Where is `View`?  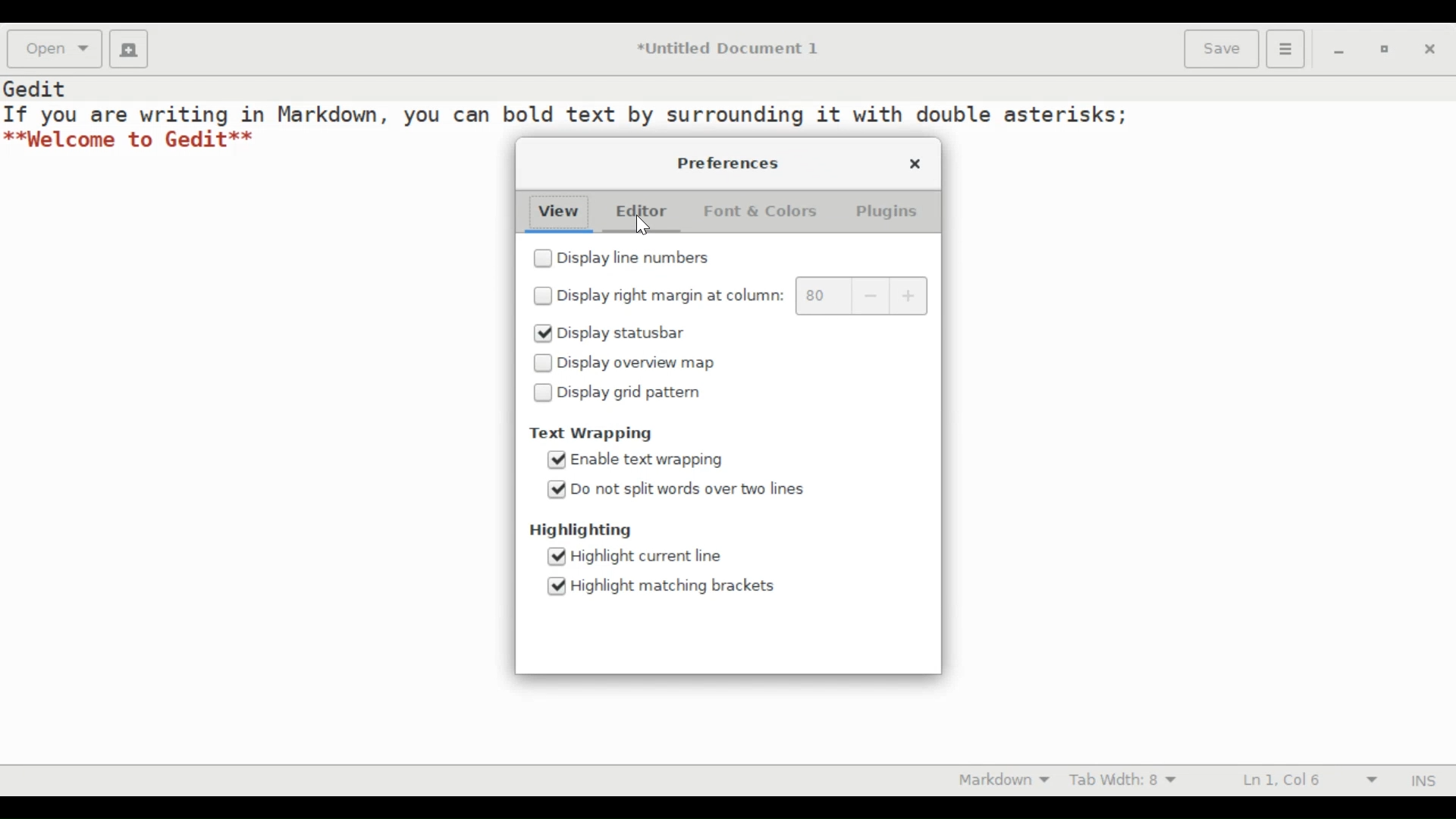
View is located at coordinates (560, 212).